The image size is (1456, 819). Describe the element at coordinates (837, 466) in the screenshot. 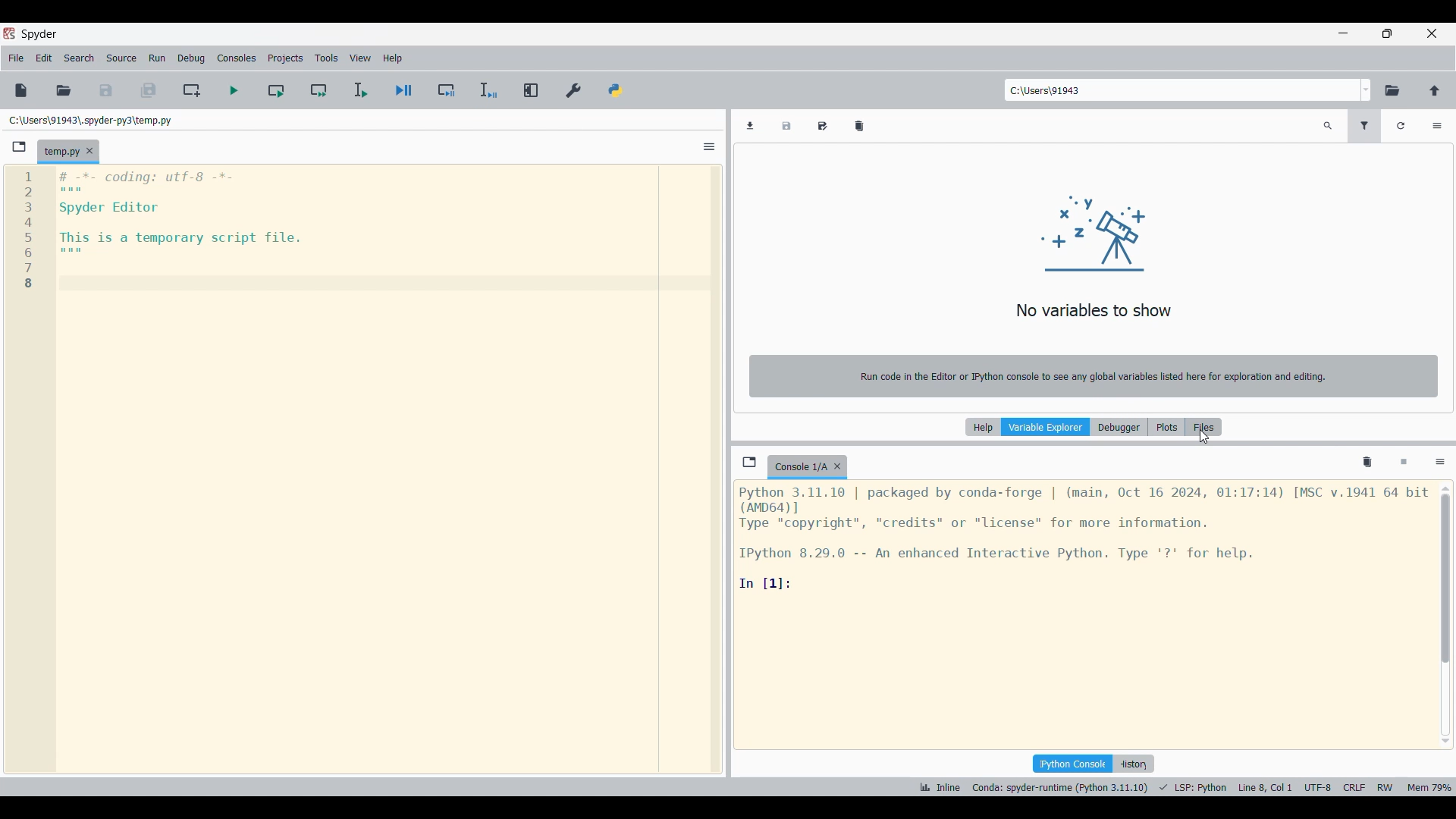

I see `Close` at that location.